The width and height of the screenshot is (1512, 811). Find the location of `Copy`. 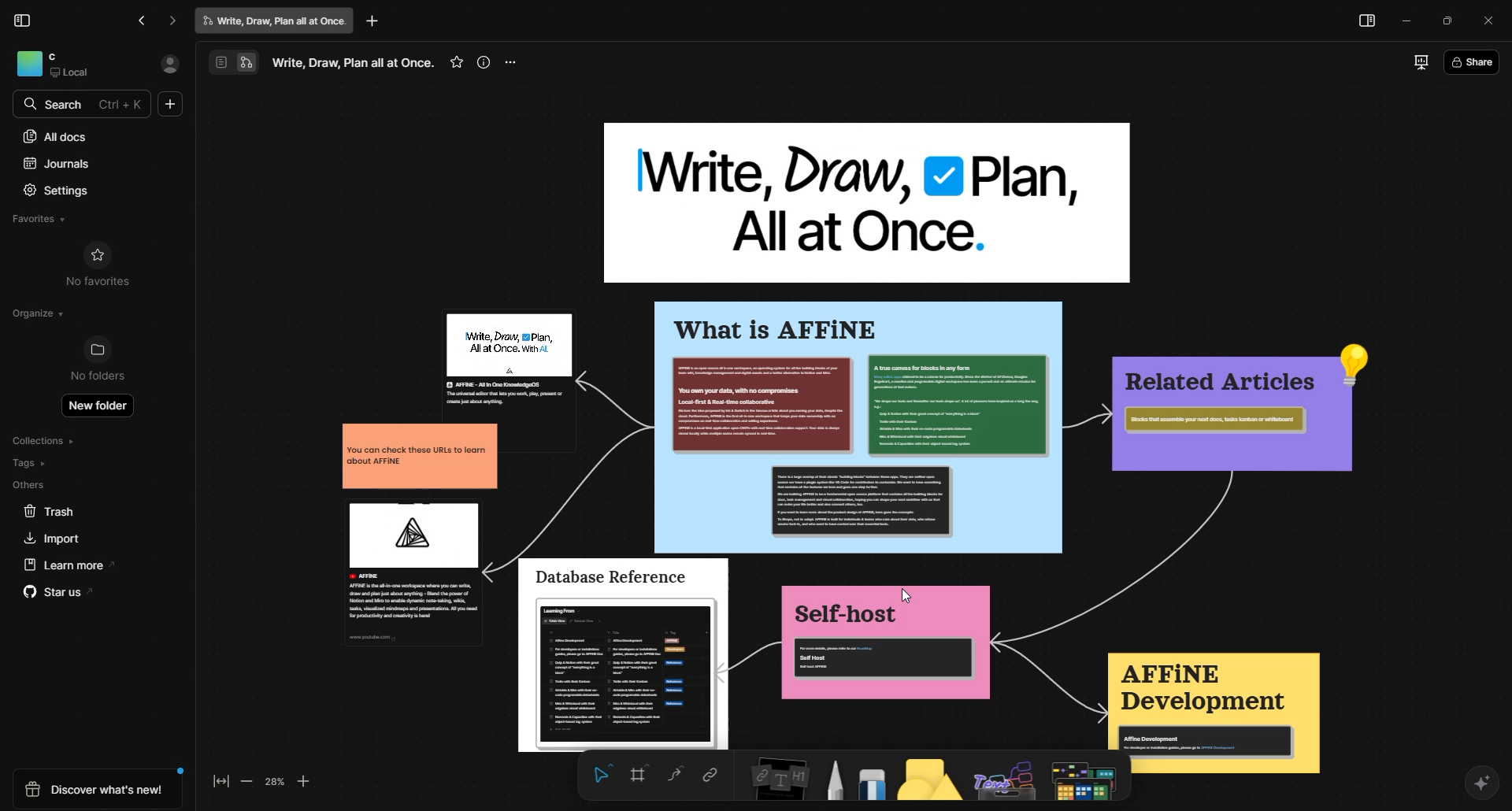

Copy is located at coordinates (706, 775).